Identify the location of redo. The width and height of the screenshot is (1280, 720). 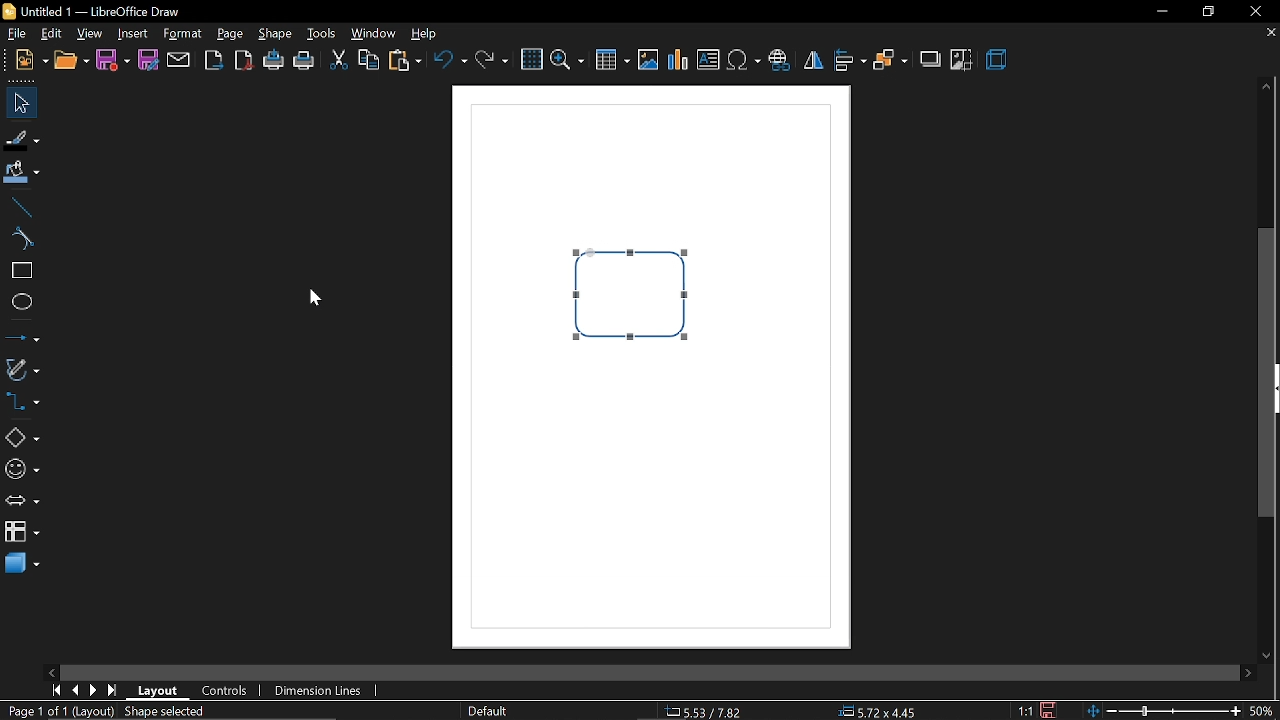
(491, 65).